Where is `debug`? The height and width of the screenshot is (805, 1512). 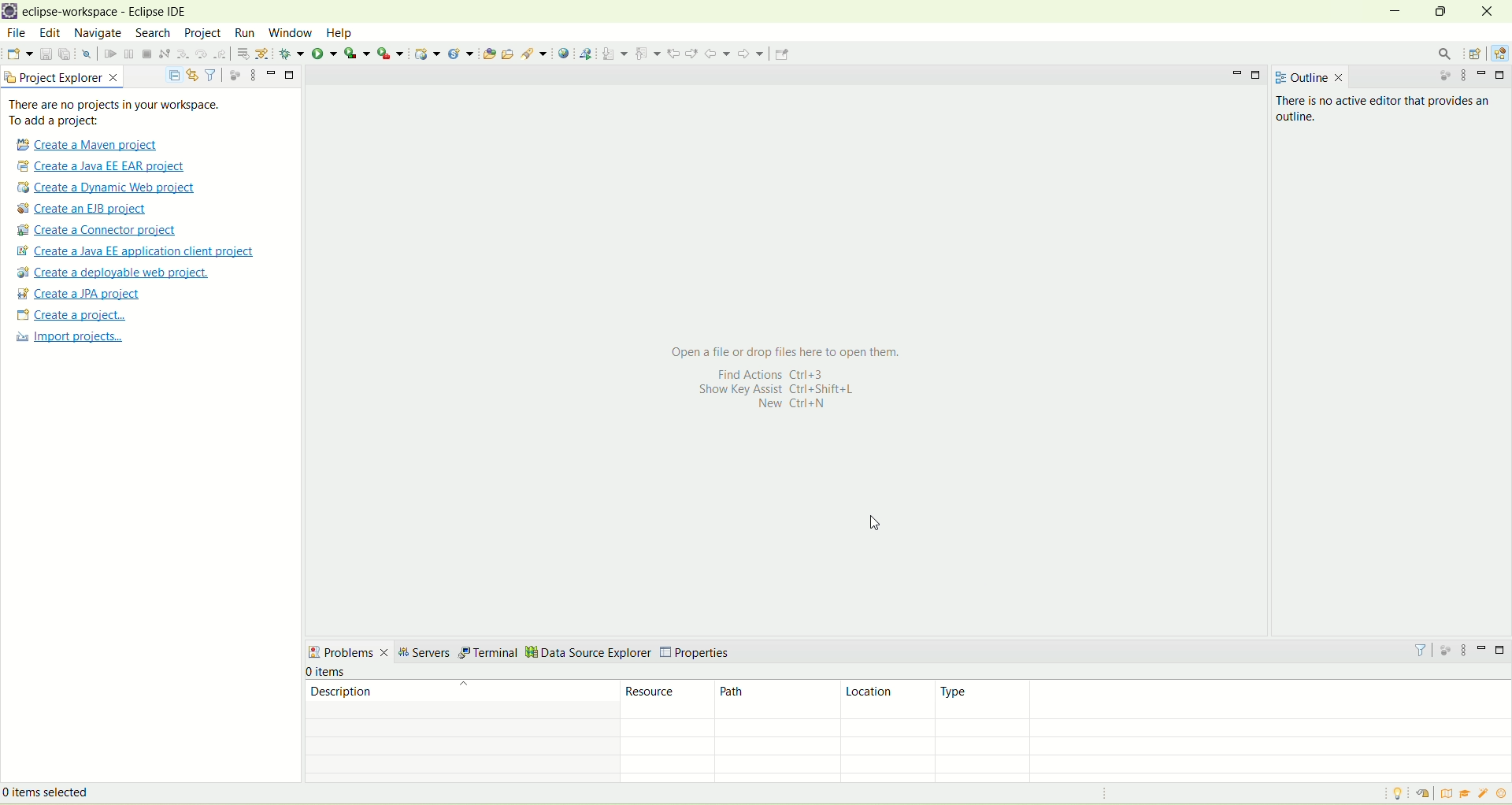
debug is located at coordinates (358, 54).